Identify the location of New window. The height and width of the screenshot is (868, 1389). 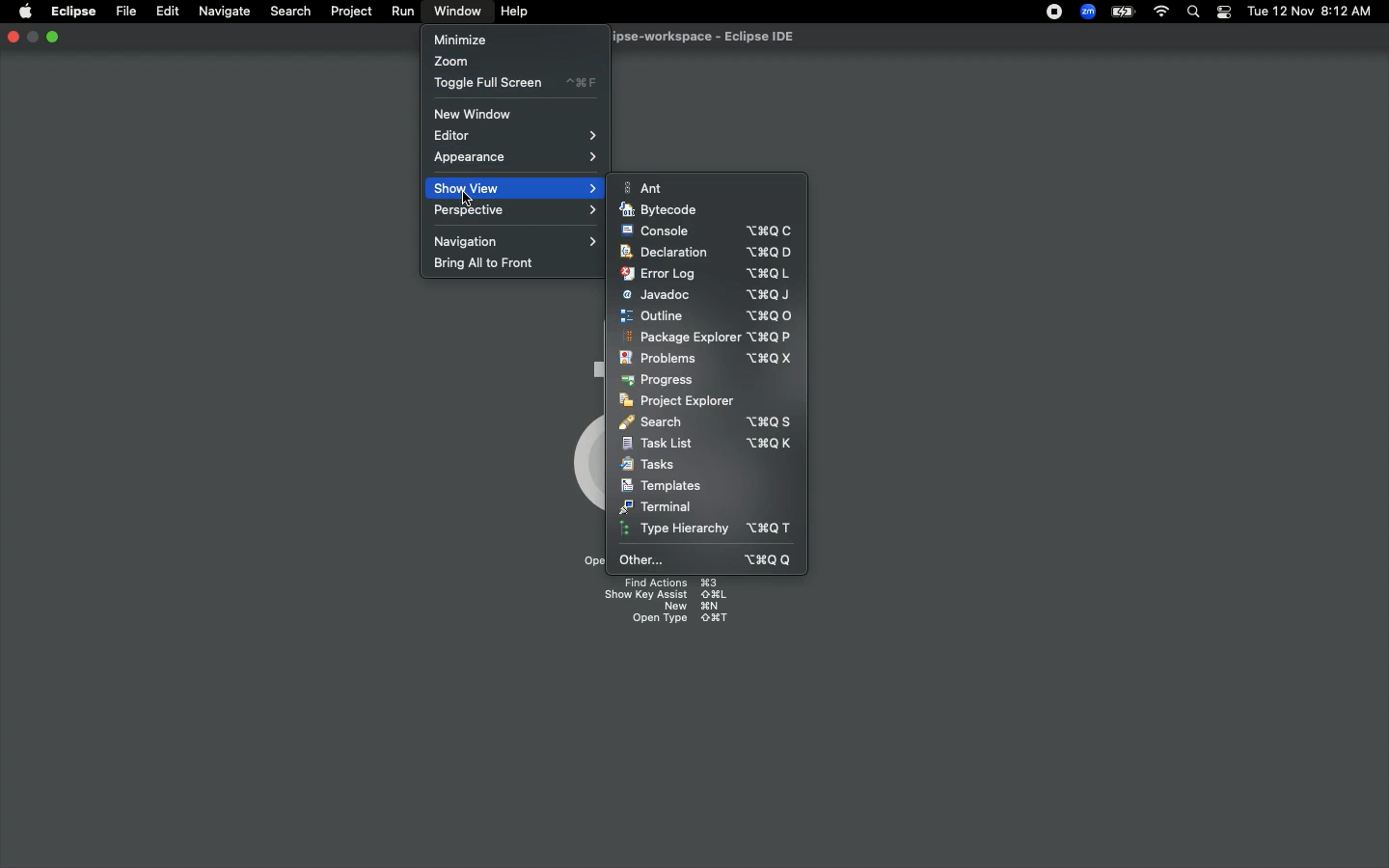
(483, 114).